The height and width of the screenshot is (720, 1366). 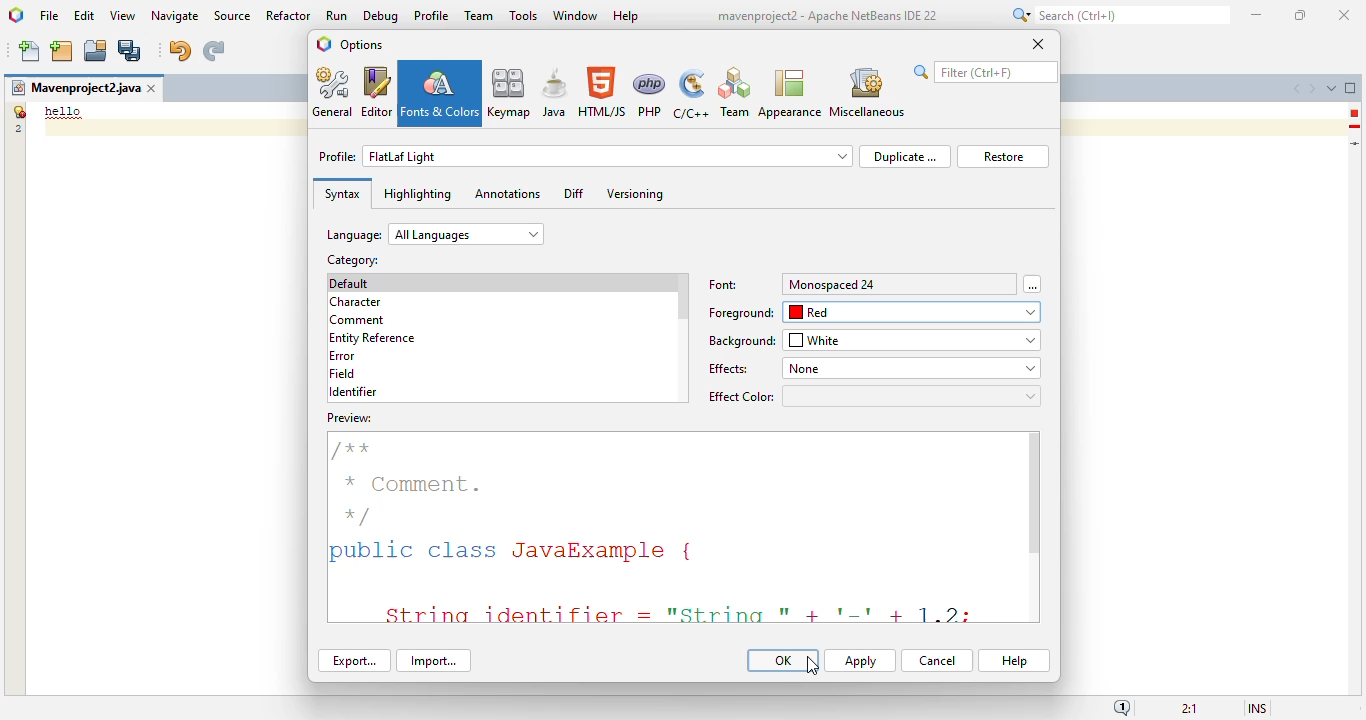 What do you see at coordinates (361, 44) in the screenshot?
I see `options` at bounding box center [361, 44].